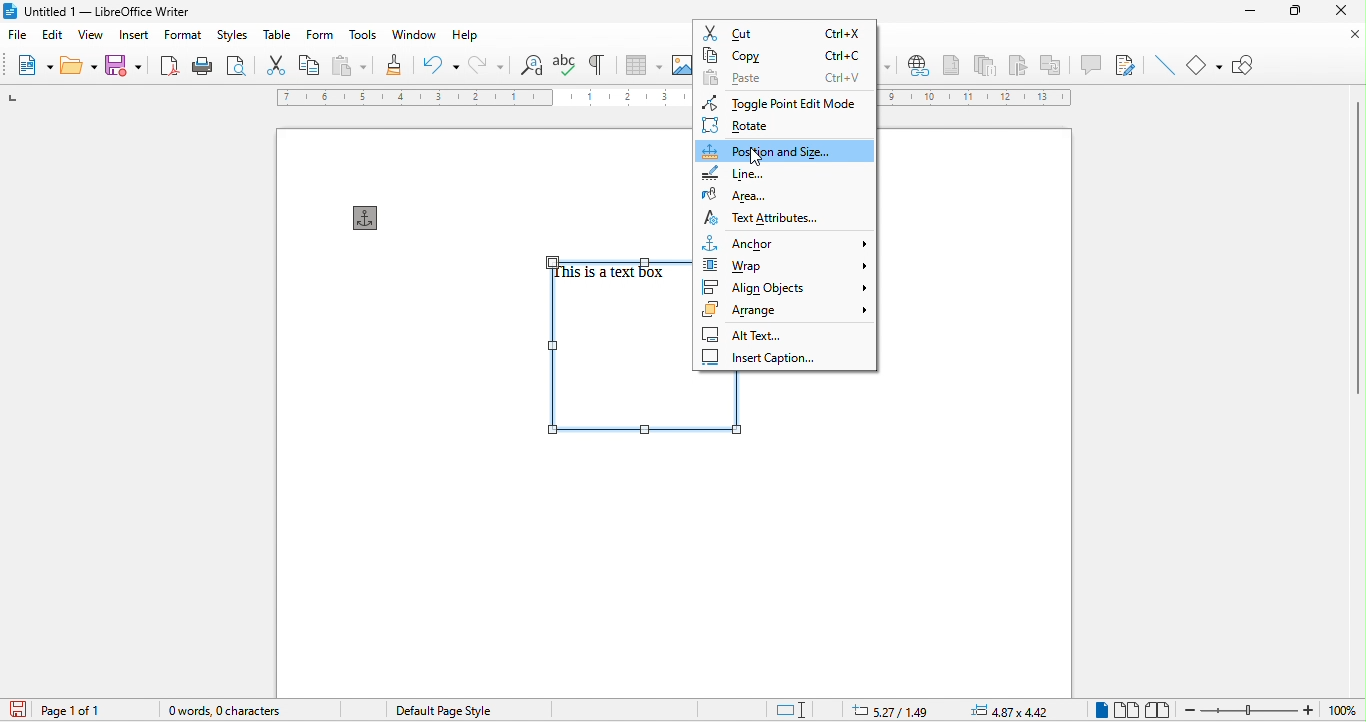 Image resolution: width=1366 pixels, height=722 pixels. I want to click on show track changes function, so click(1125, 64).